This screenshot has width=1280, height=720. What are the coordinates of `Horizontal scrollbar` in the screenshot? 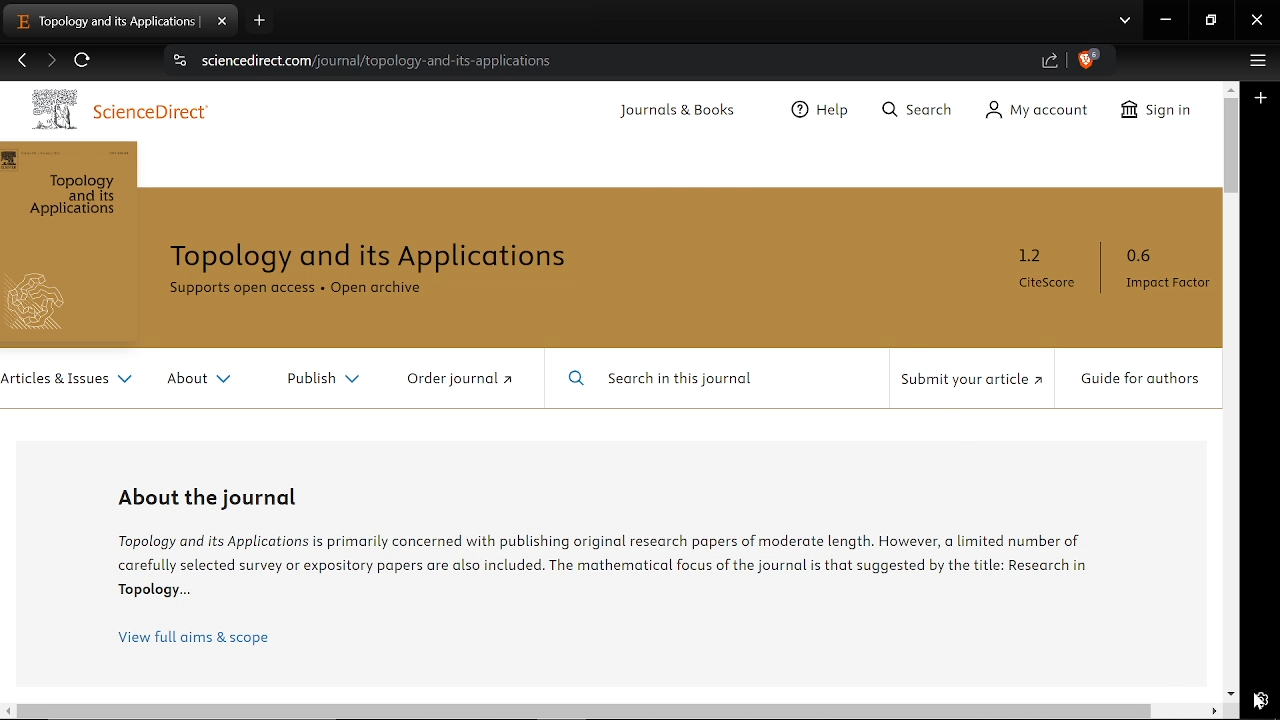 It's located at (585, 711).